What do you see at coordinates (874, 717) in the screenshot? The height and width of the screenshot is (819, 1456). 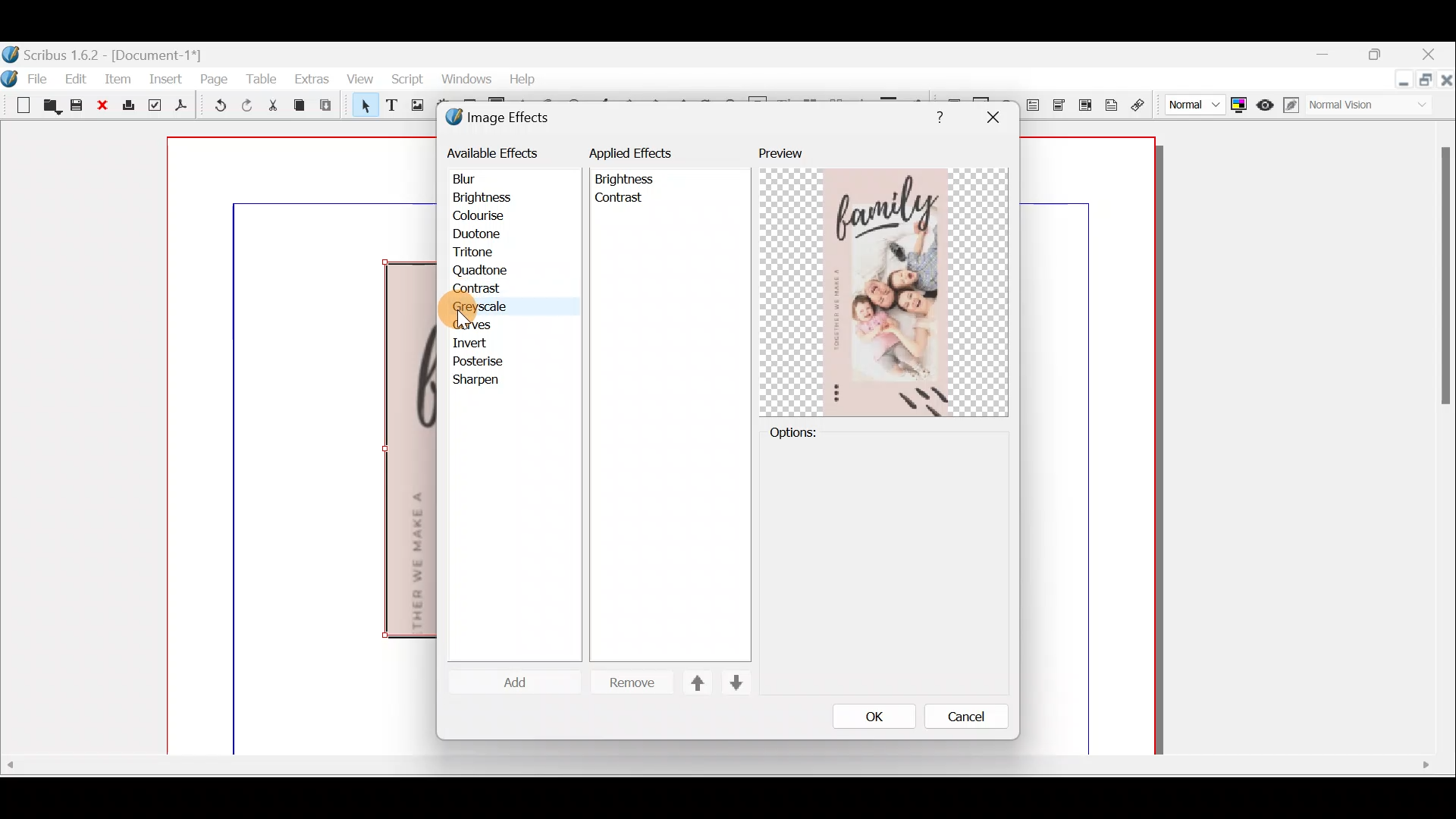 I see `Ok` at bounding box center [874, 717].